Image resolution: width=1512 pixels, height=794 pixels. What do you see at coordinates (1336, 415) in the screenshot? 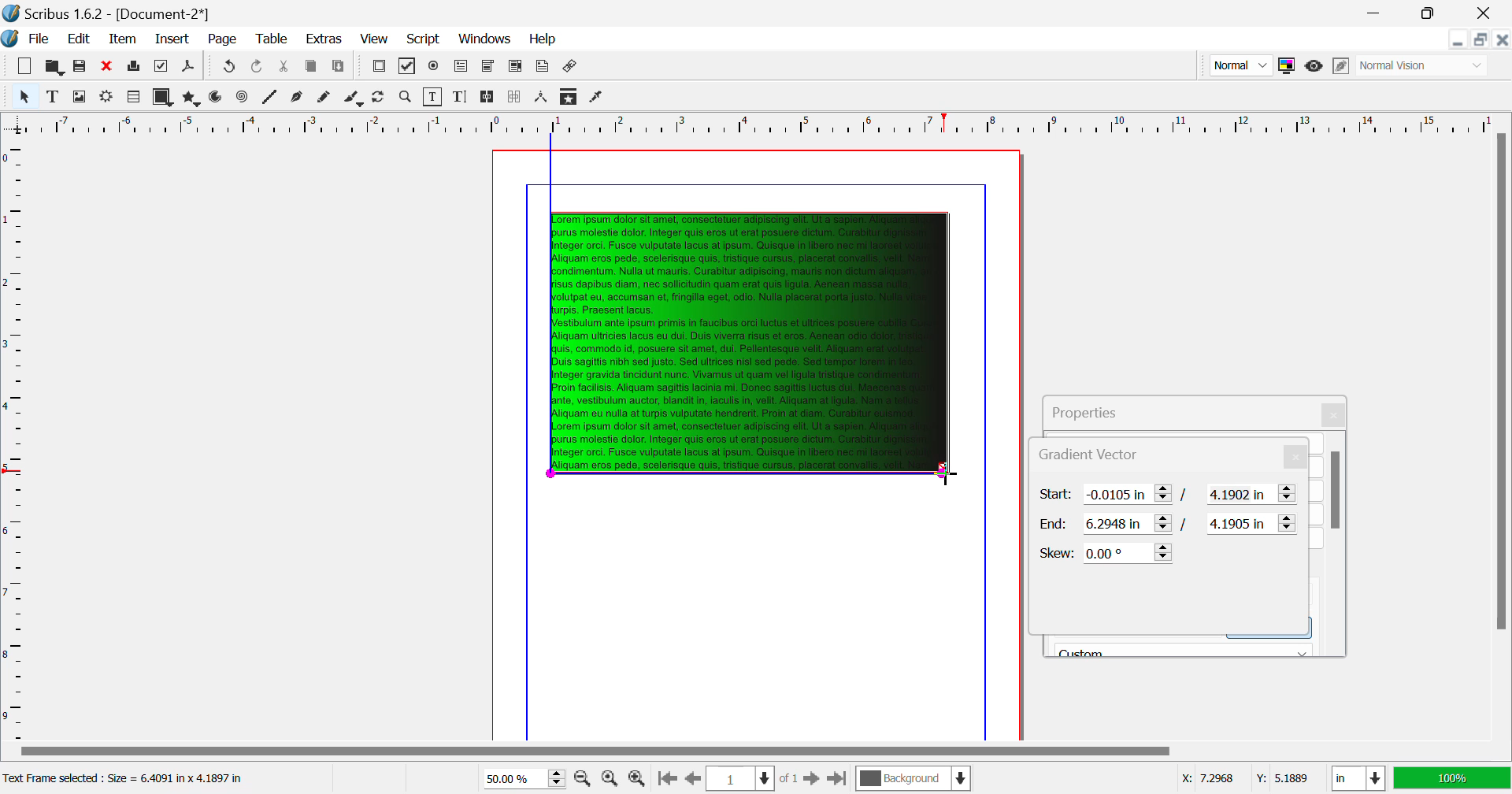
I see `Close` at bounding box center [1336, 415].